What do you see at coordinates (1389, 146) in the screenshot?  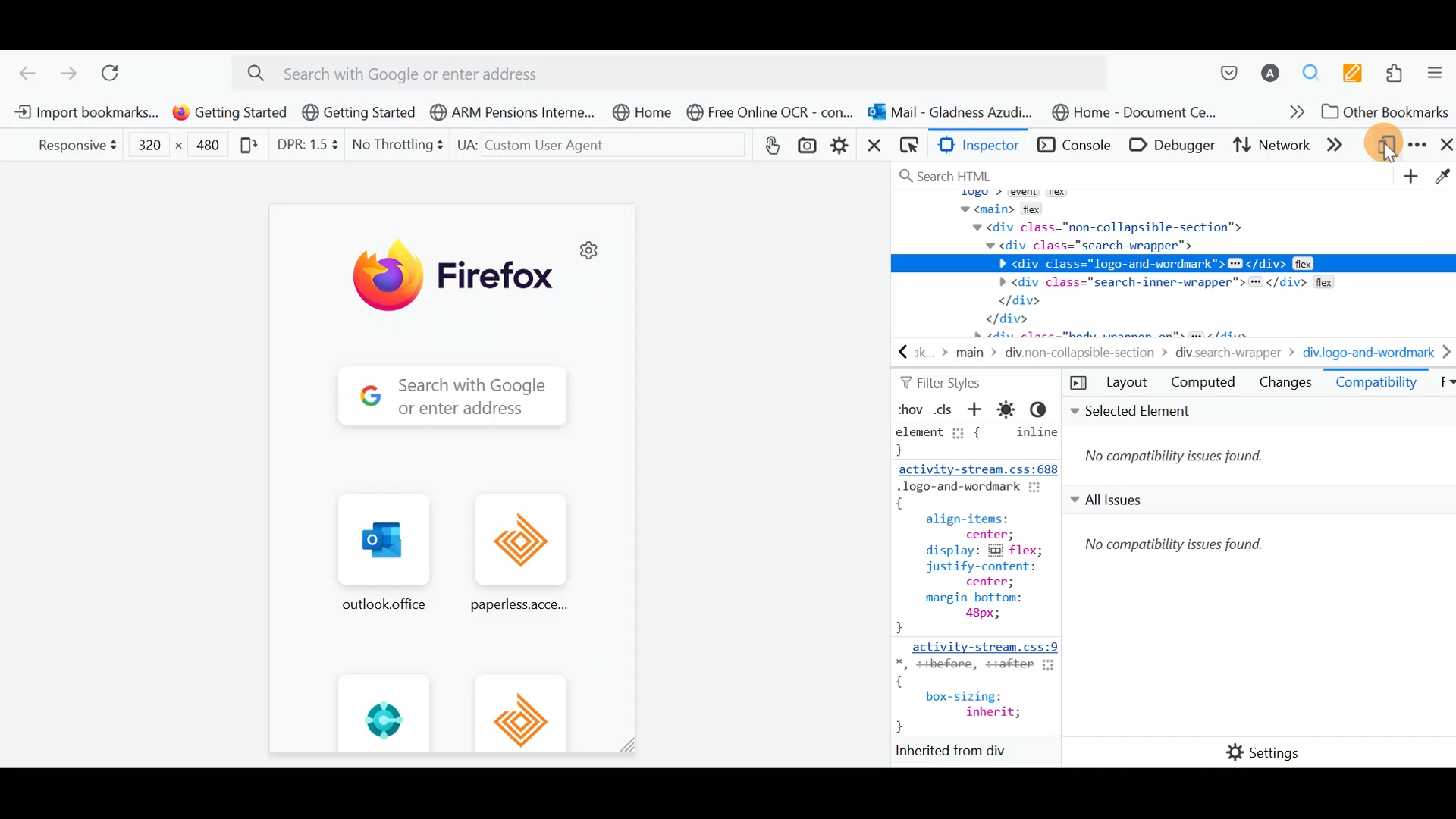 I see `Cursor` at bounding box center [1389, 146].